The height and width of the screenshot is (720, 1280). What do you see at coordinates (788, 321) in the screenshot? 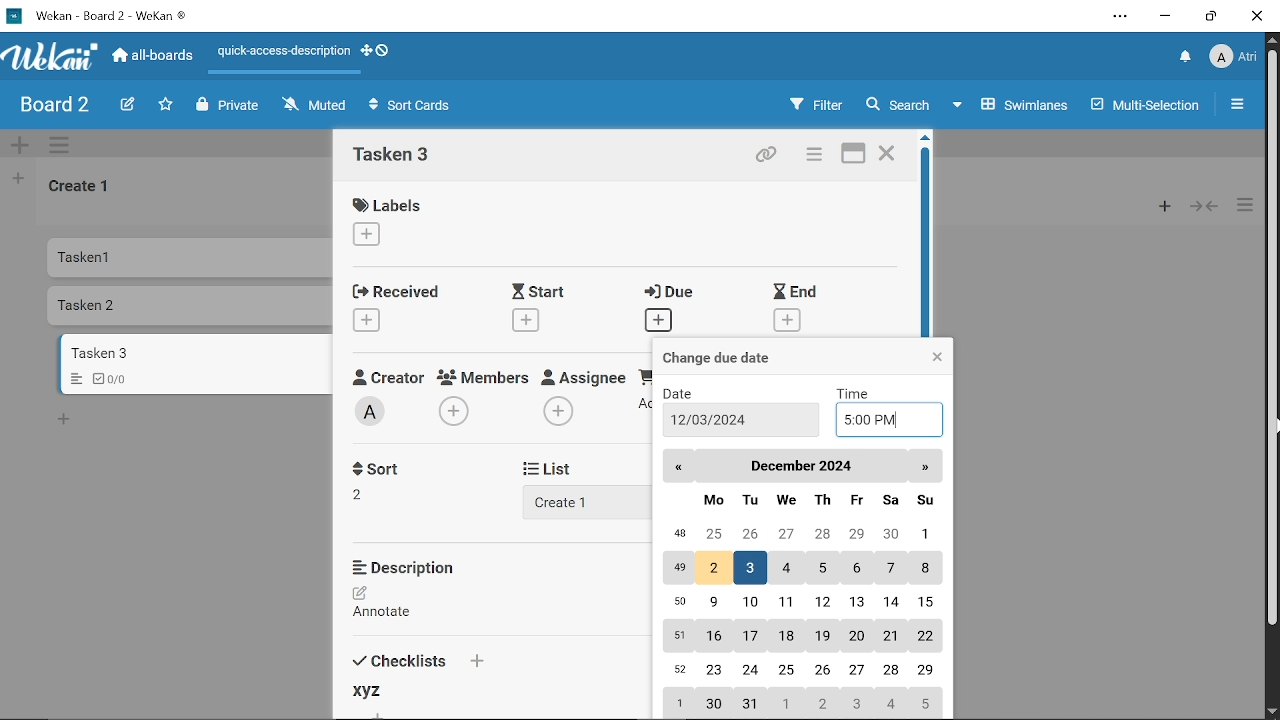
I see `Add end date` at bounding box center [788, 321].